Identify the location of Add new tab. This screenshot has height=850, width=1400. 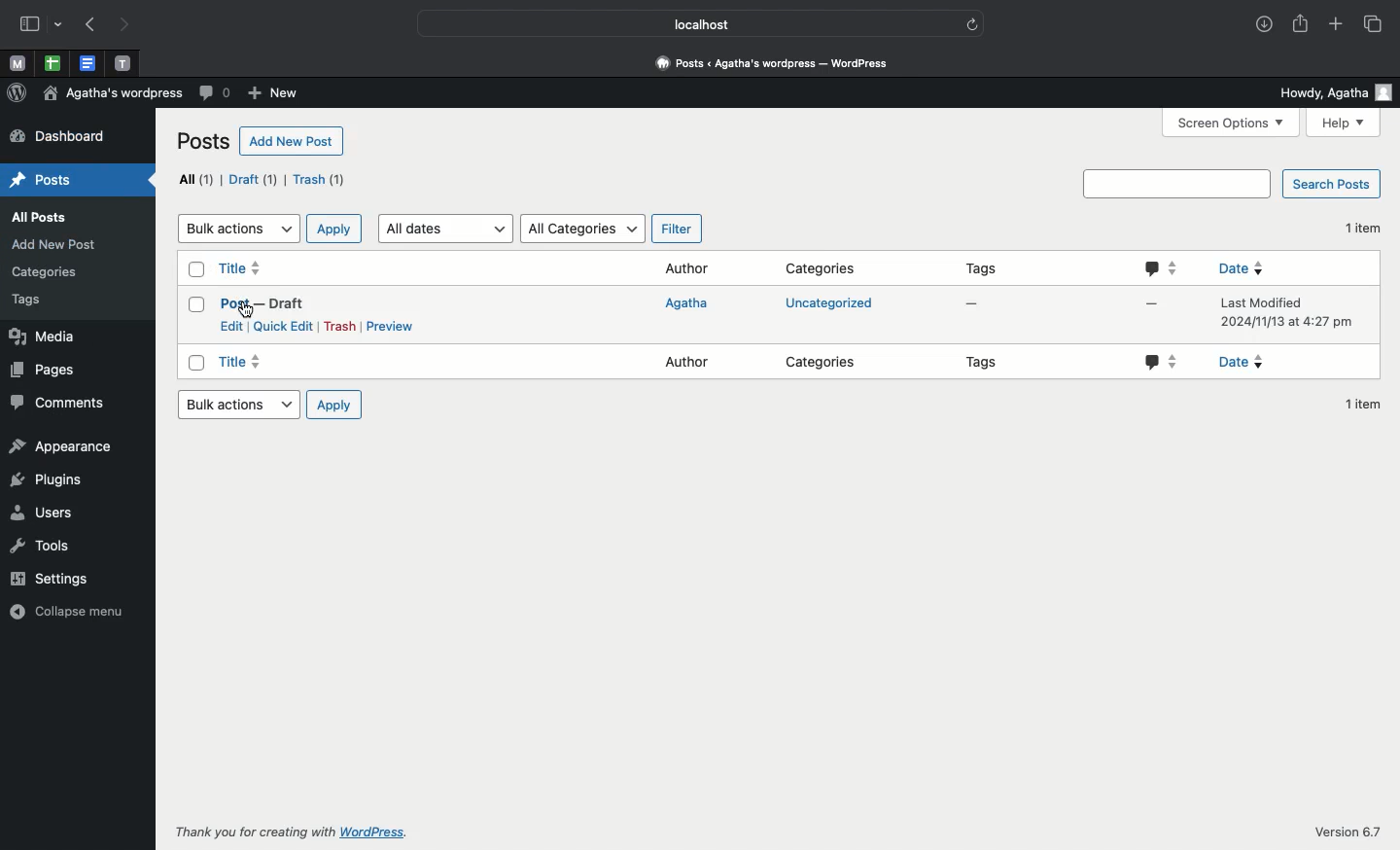
(1335, 25).